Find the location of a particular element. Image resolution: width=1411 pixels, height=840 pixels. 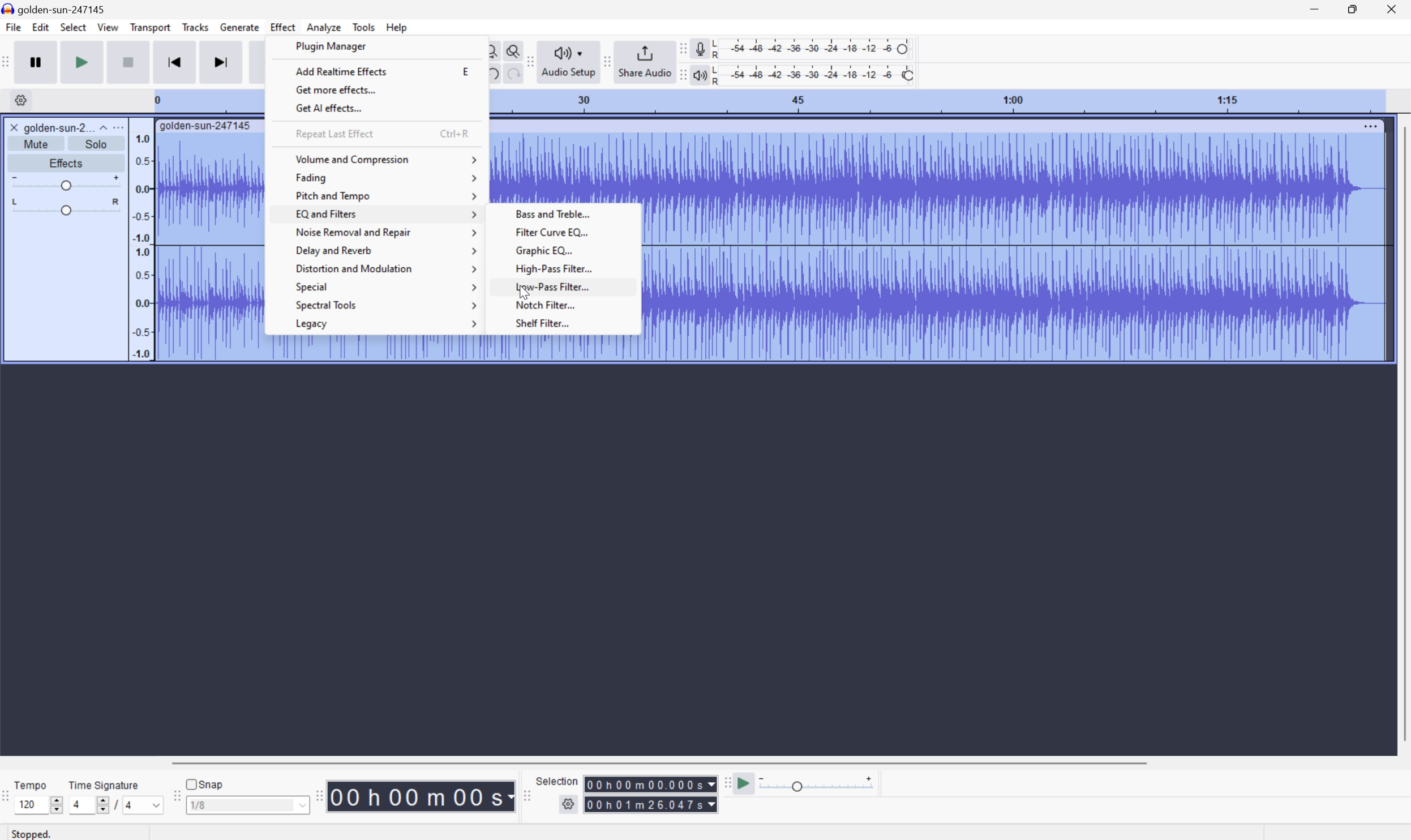

Select is located at coordinates (72, 27).